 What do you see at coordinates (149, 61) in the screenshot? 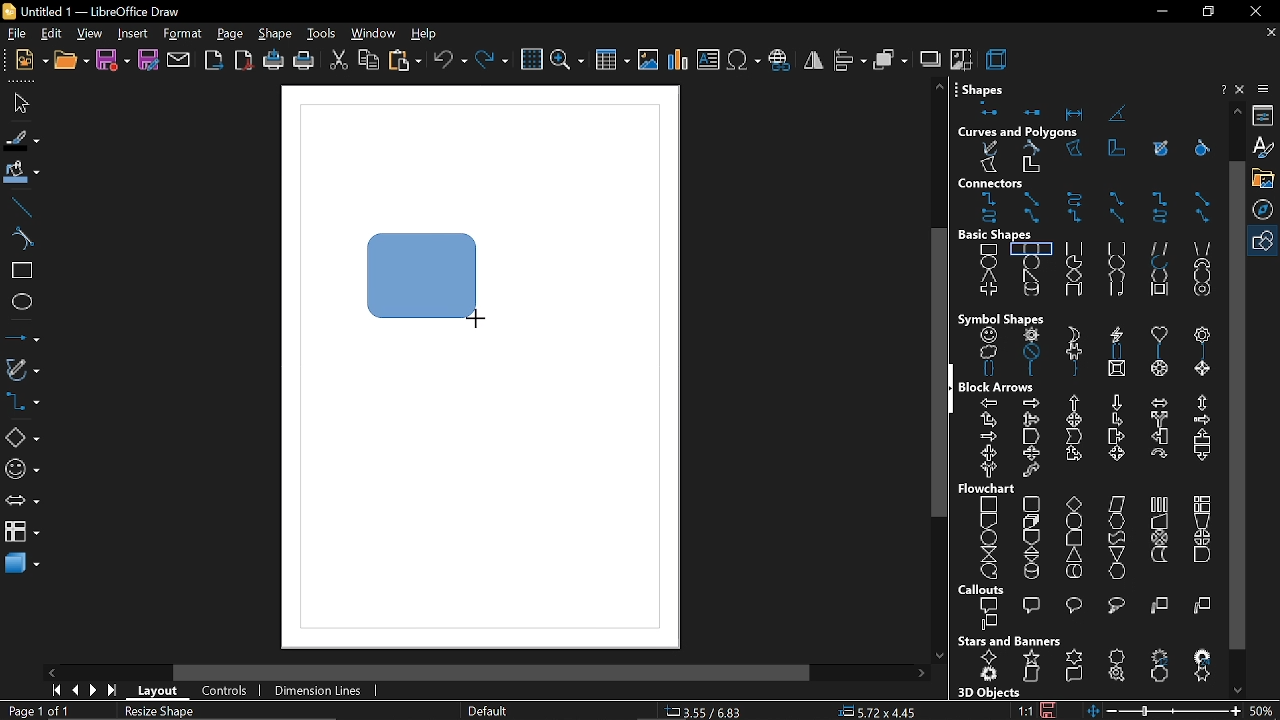
I see `save as` at bounding box center [149, 61].